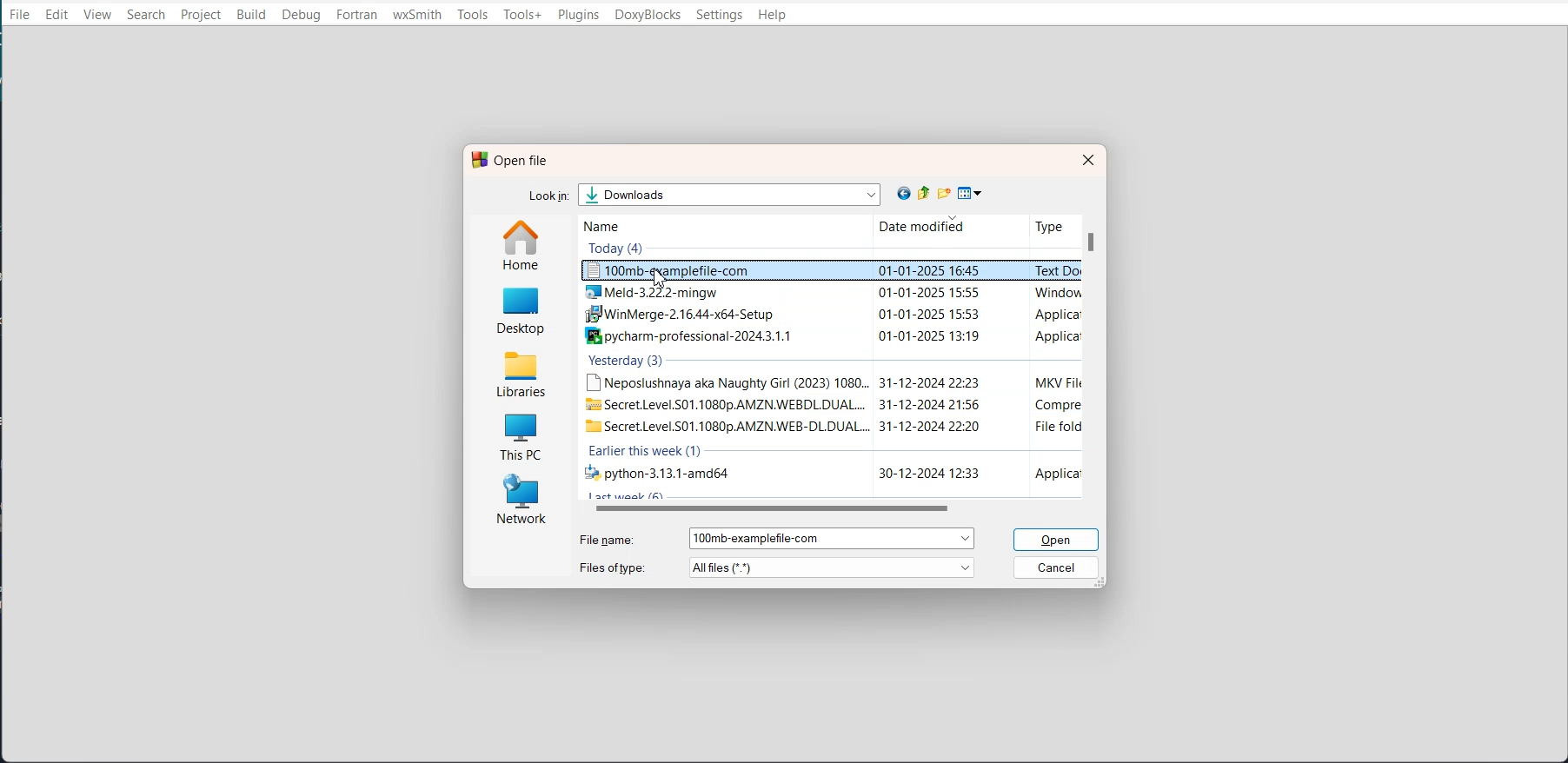 Image resolution: width=1568 pixels, height=763 pixels. I want to click on Look in: Downloads, so click(708, 194).